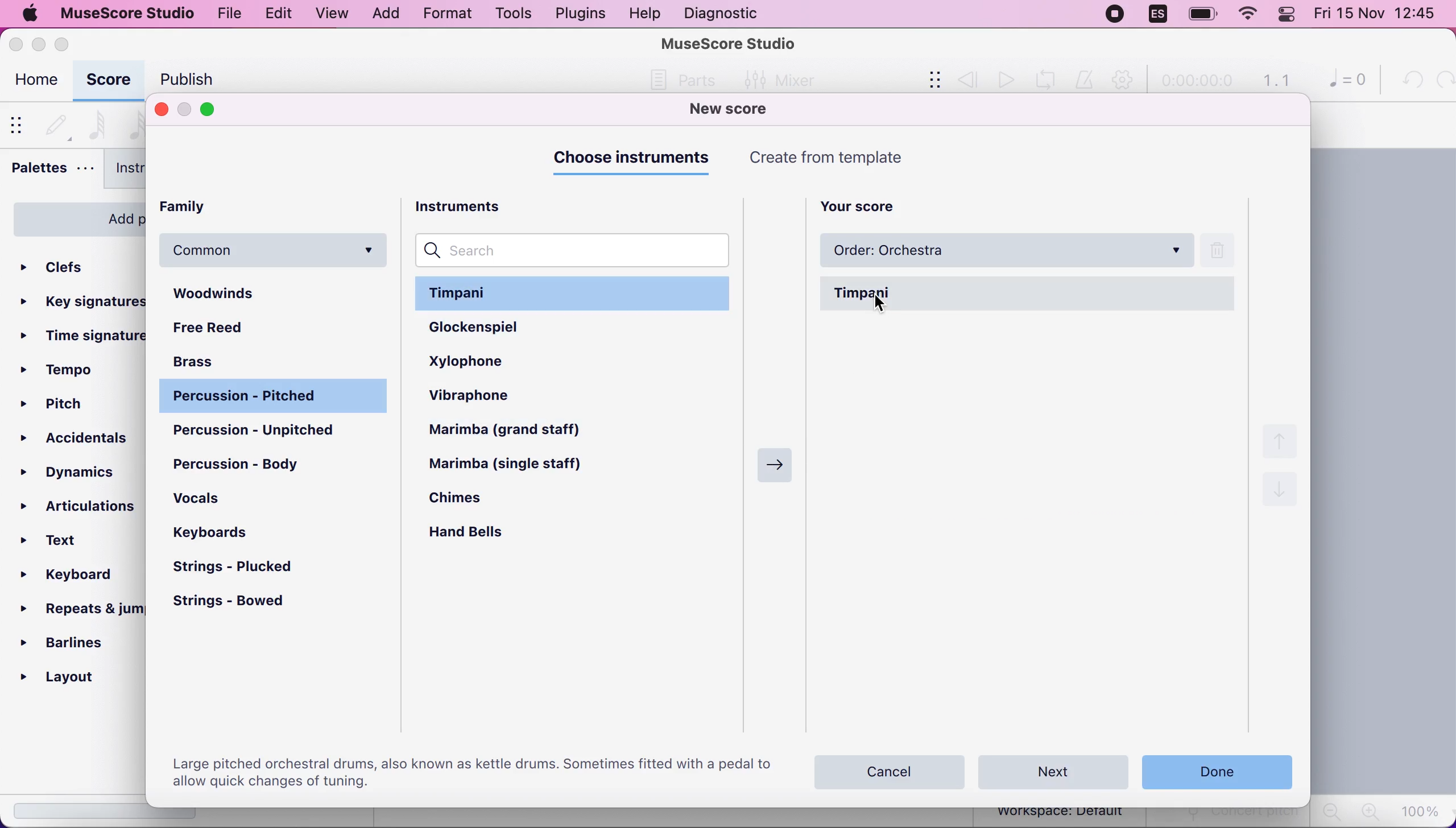 The height and width of the screenshot is (828, 1456). Describe the element at coordinates (216, 110) in the screenshot. I see `maximize` at that location.